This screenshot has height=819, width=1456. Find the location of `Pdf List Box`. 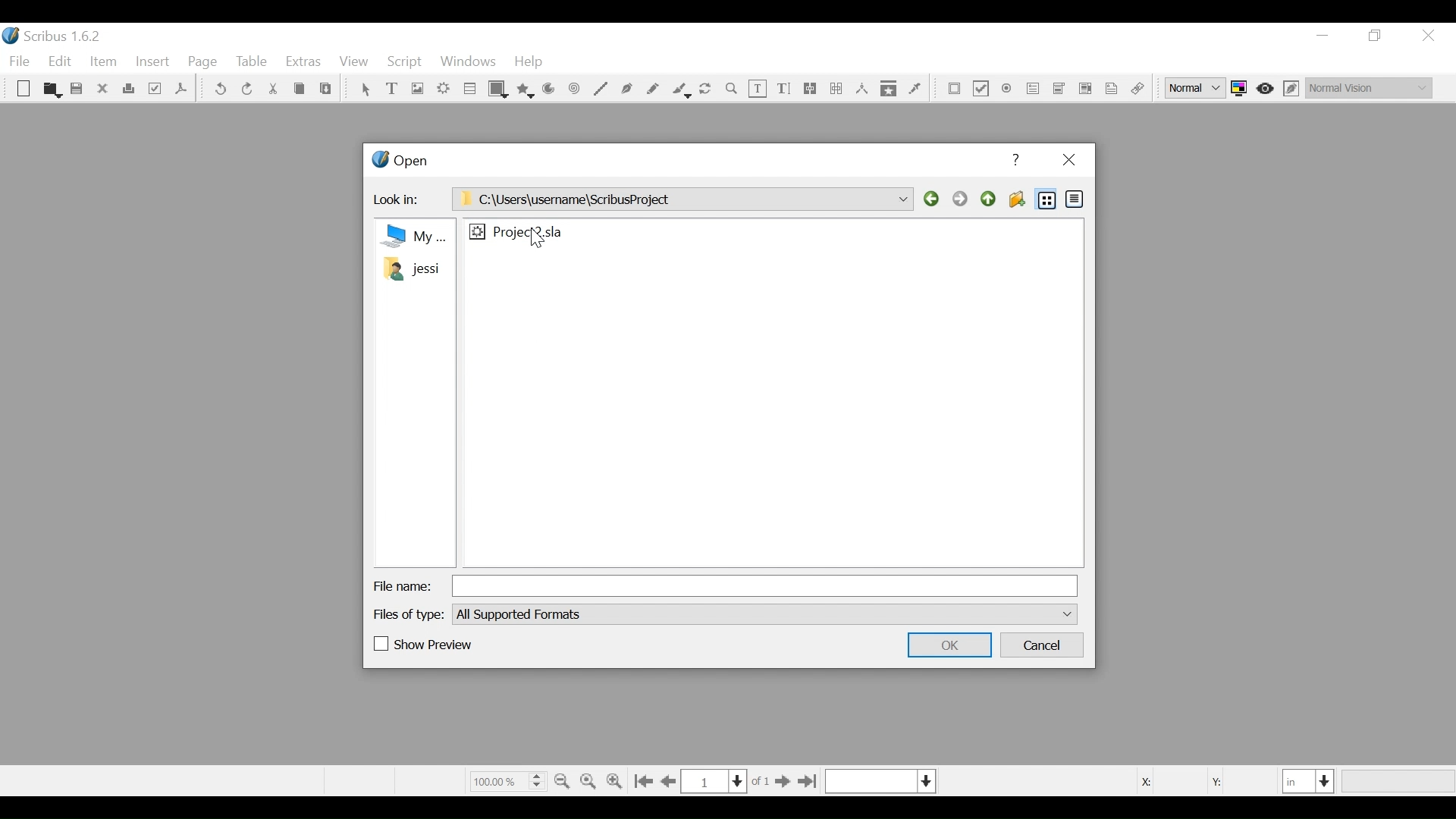

Pdf List Box is located at coordinates (1086, 88).